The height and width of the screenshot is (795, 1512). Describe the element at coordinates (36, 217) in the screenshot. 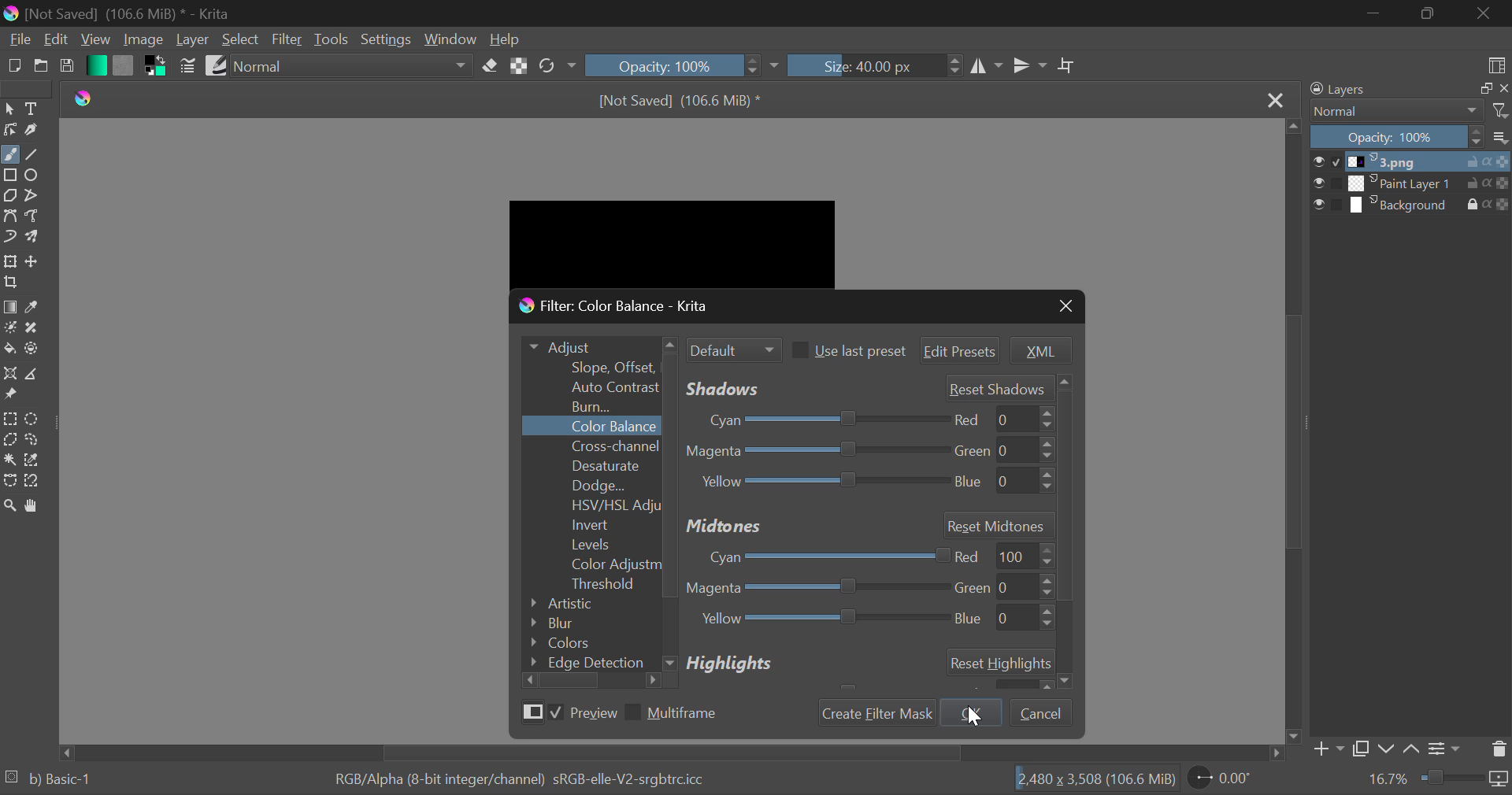

I see `Freehand Path Tool` at that location.